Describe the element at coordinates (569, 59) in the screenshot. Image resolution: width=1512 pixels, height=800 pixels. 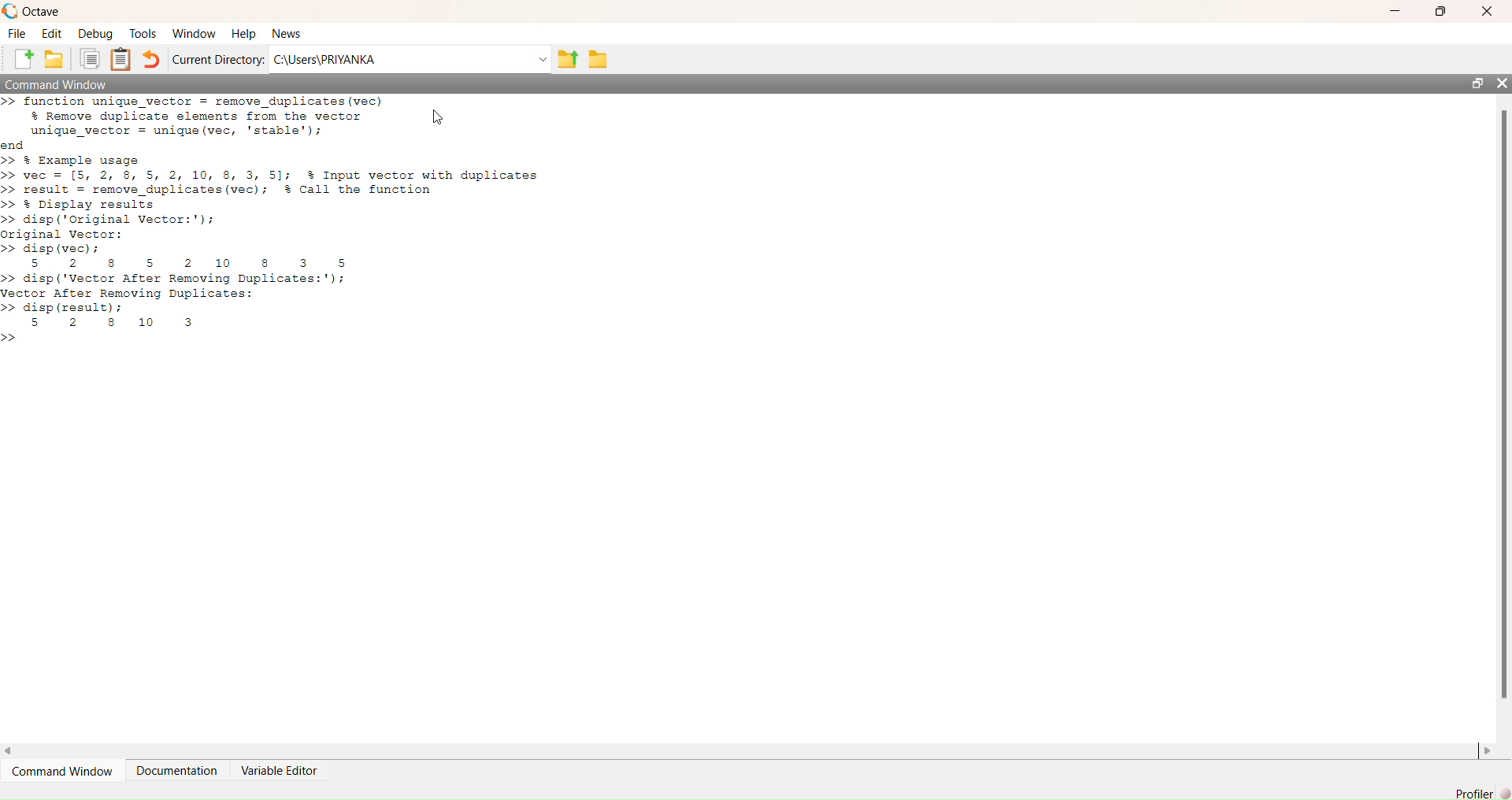
I see `share folder` at that location.